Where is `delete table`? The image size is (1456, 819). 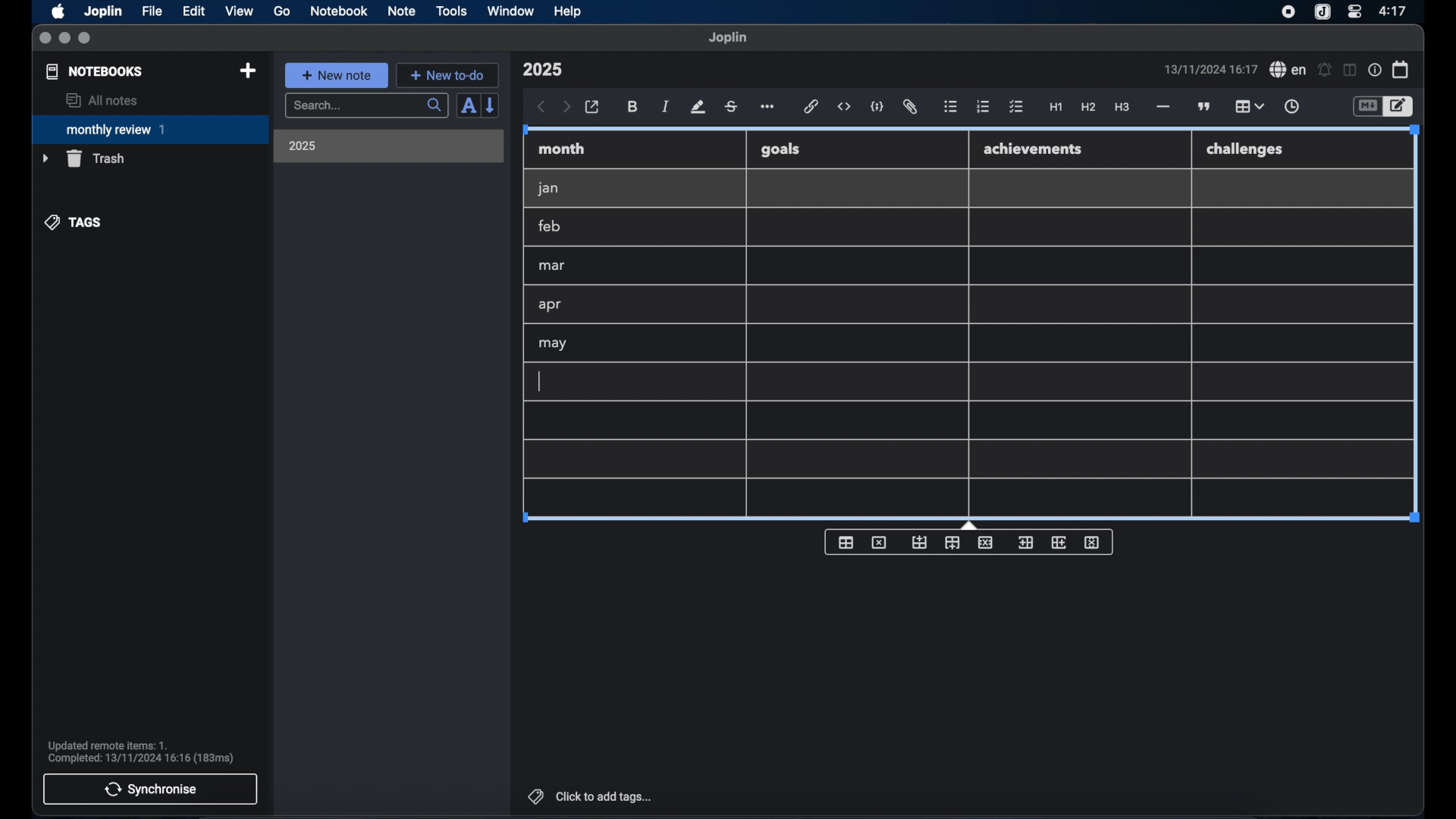 delete table is located at coordinates (879, 543).